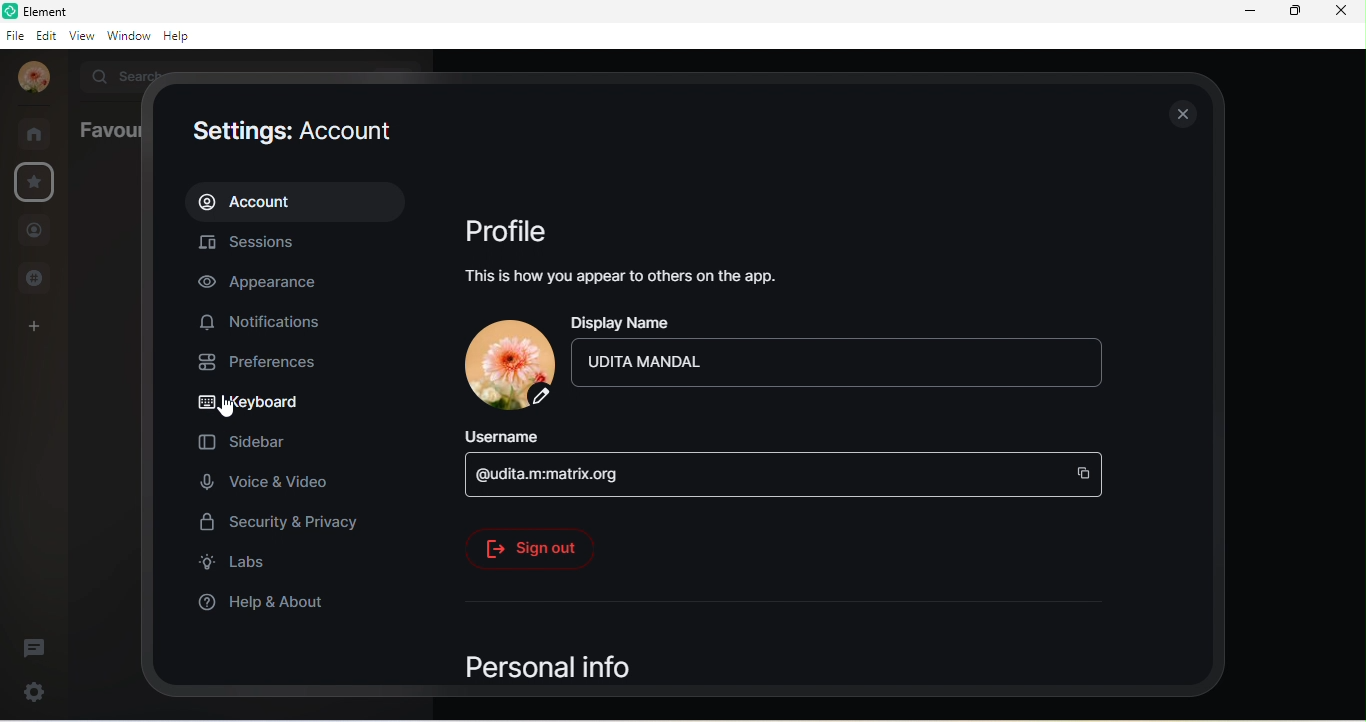 The height and width of the screenshot is (722, 1366). I want to click on cursor movement, so click(229, 406).